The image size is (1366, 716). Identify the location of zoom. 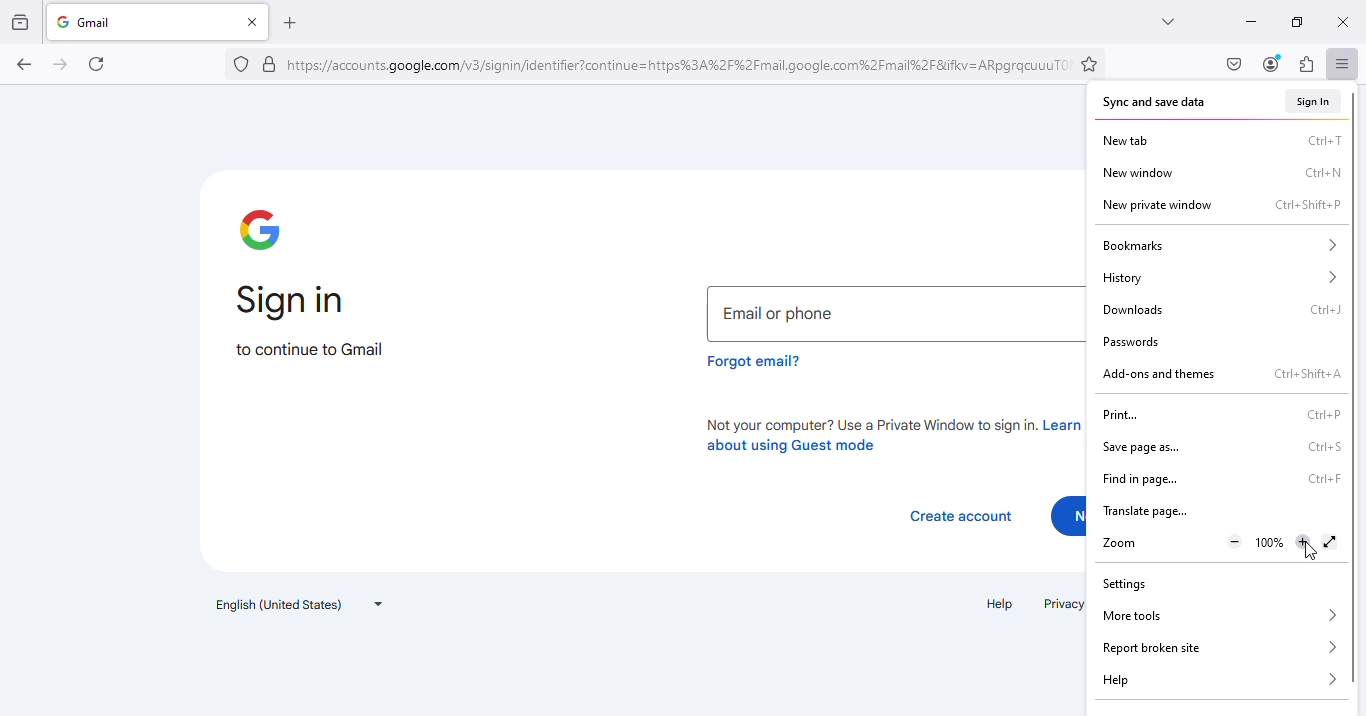
(1119, 542).